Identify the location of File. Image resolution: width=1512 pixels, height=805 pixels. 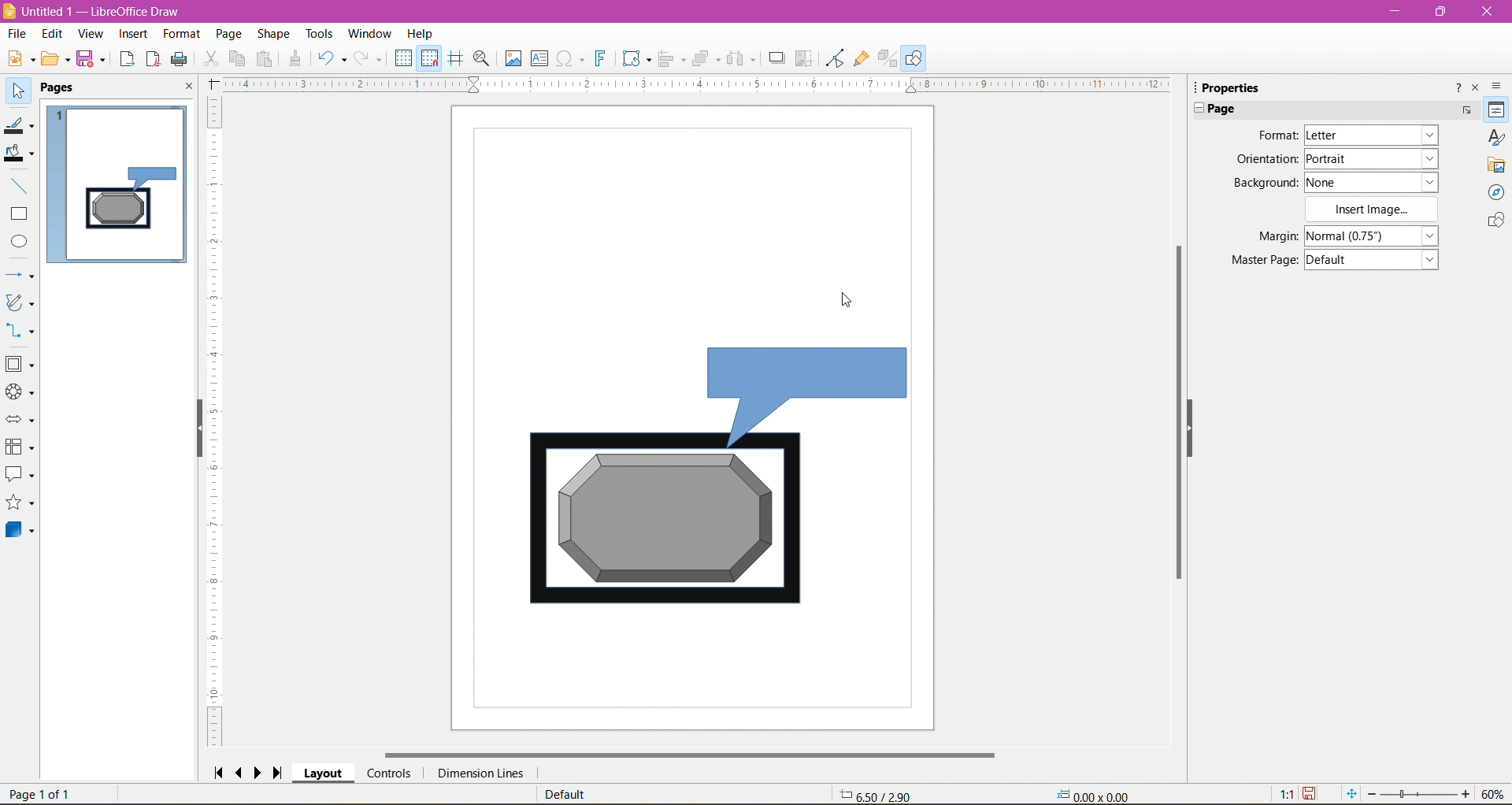
(16, 33).